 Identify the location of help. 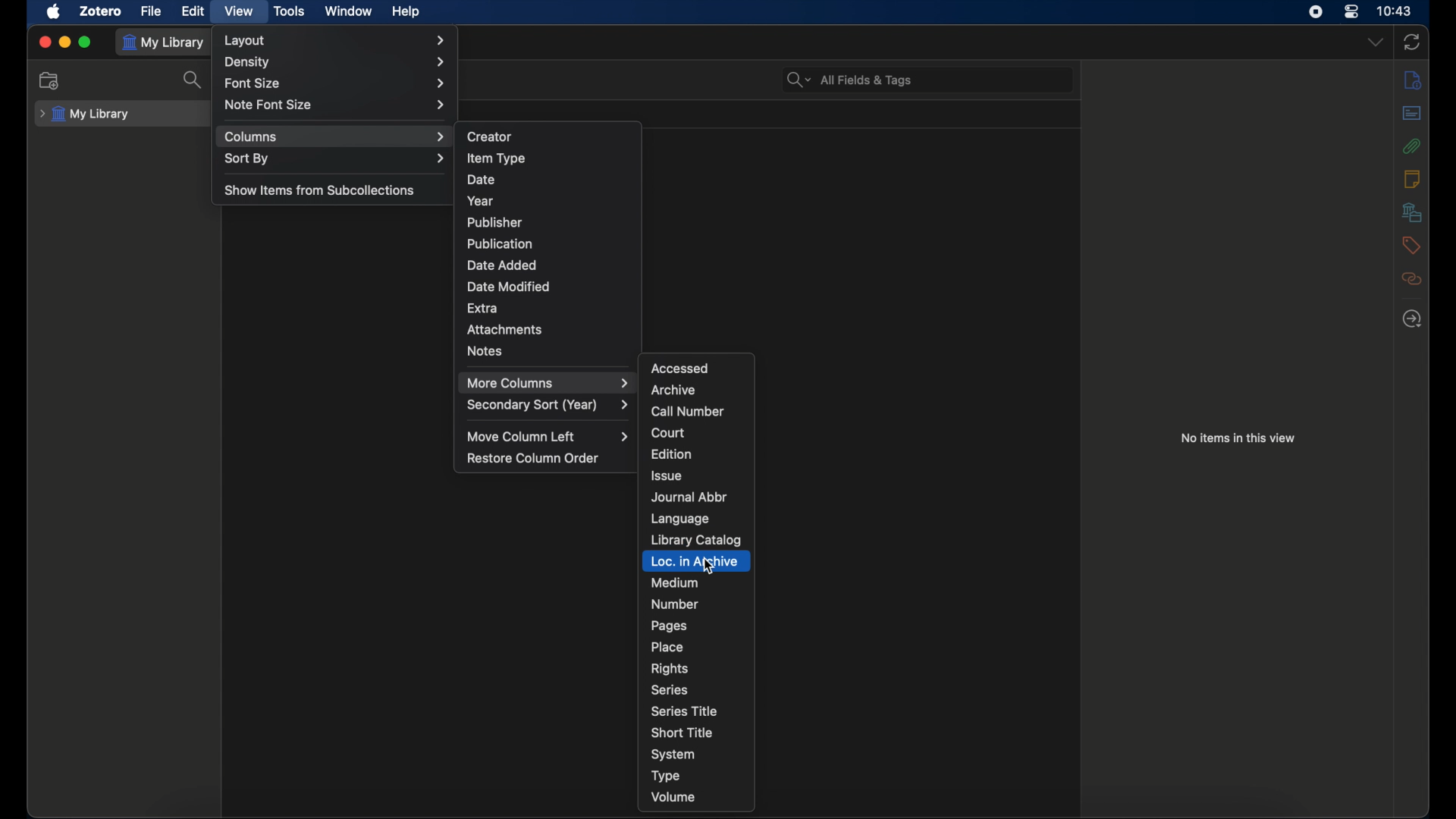
(406, 11).